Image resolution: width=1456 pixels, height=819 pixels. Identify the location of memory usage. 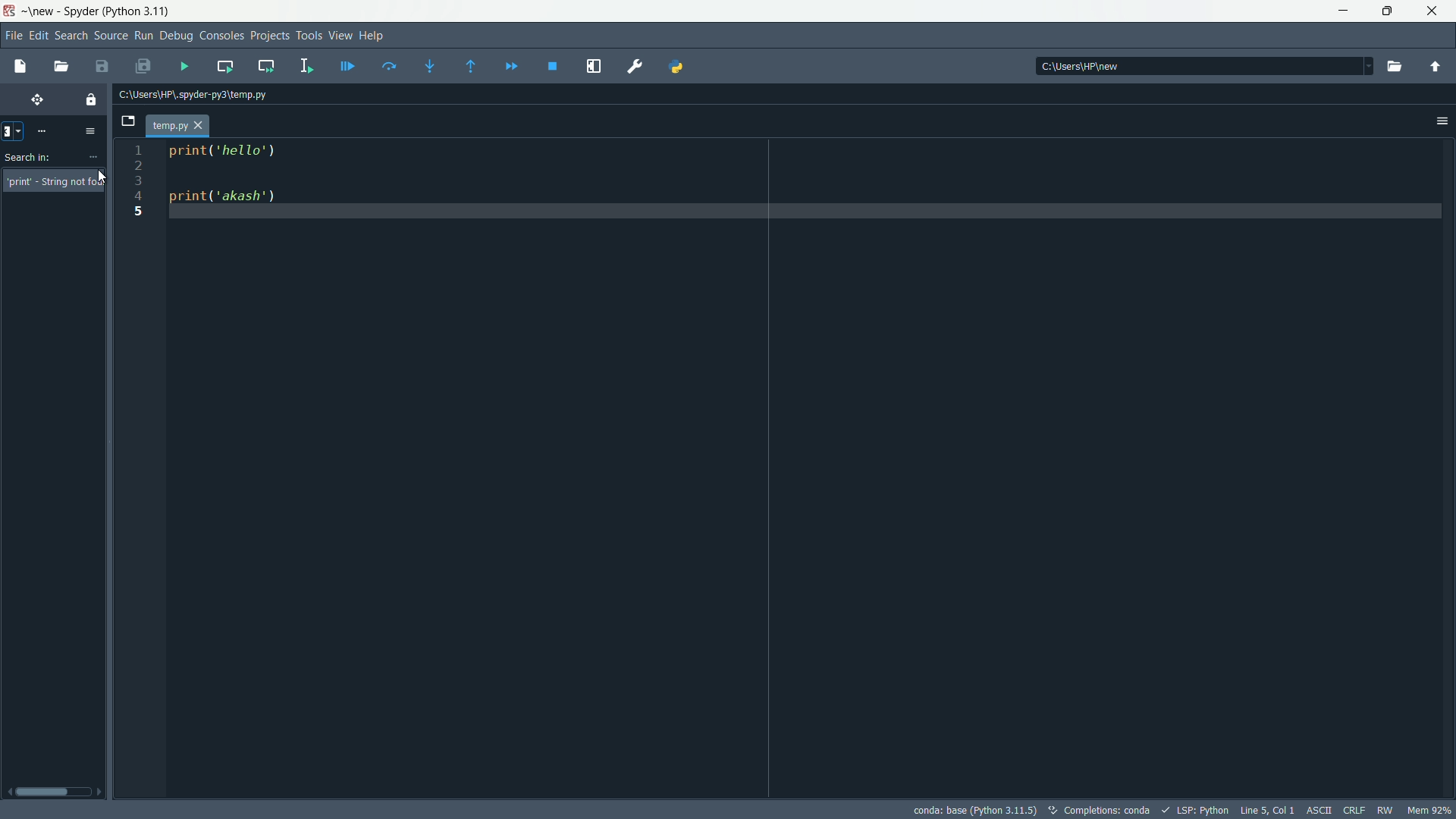
(1432, 810).